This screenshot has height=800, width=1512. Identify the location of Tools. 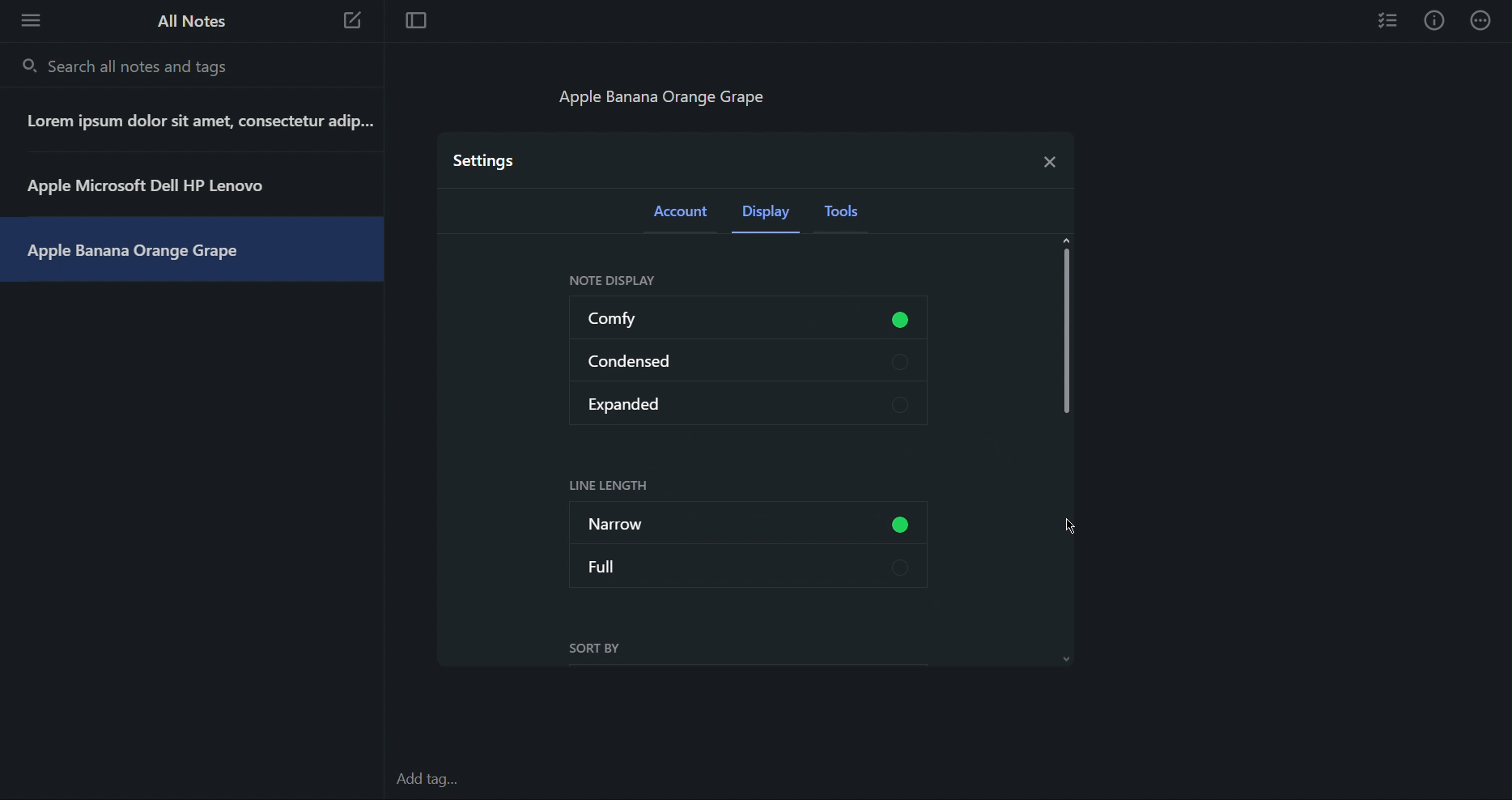
(847, 216).